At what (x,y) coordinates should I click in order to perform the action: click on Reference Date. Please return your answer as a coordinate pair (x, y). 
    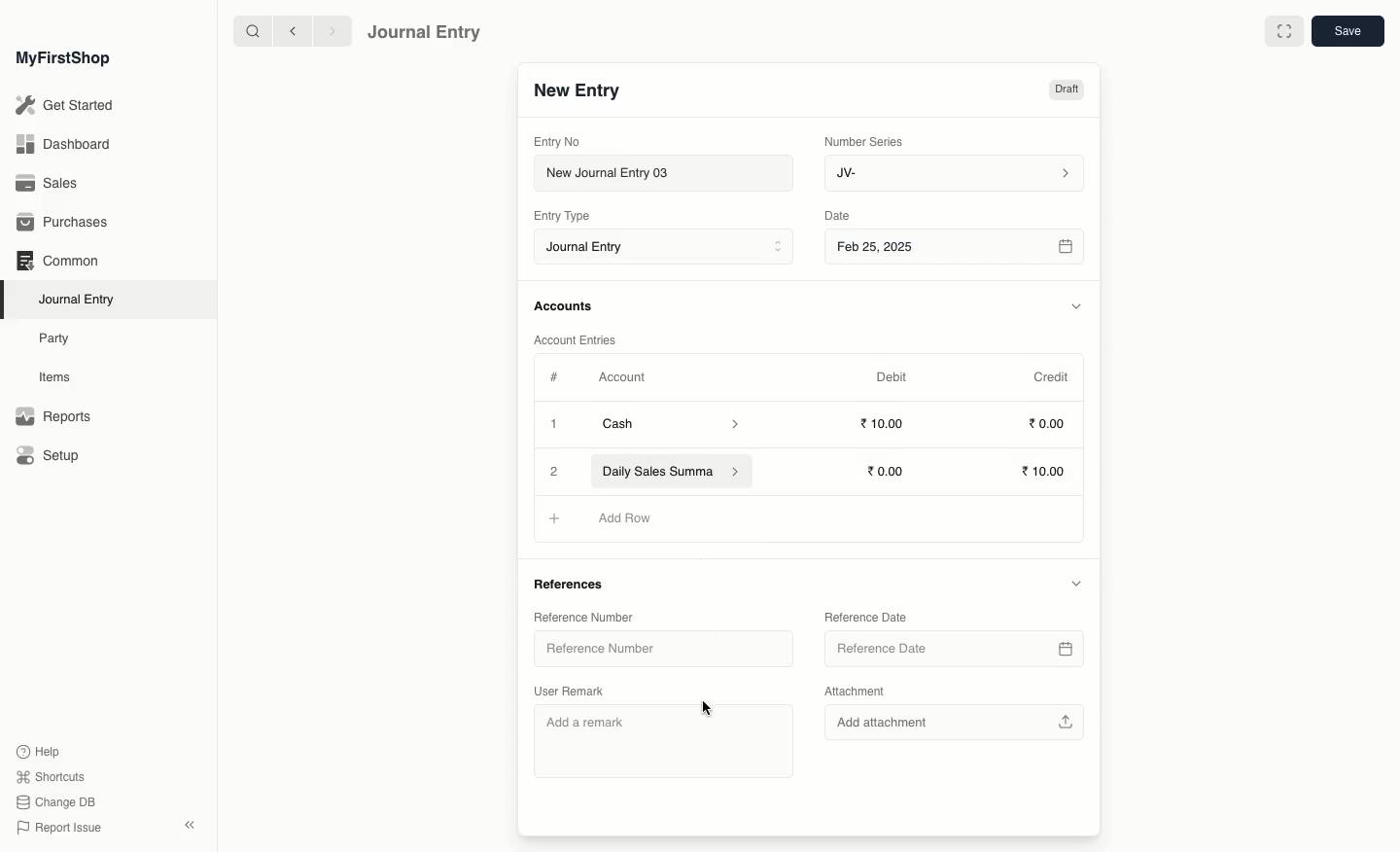
    Looking at the image, I should click on (952, 649).